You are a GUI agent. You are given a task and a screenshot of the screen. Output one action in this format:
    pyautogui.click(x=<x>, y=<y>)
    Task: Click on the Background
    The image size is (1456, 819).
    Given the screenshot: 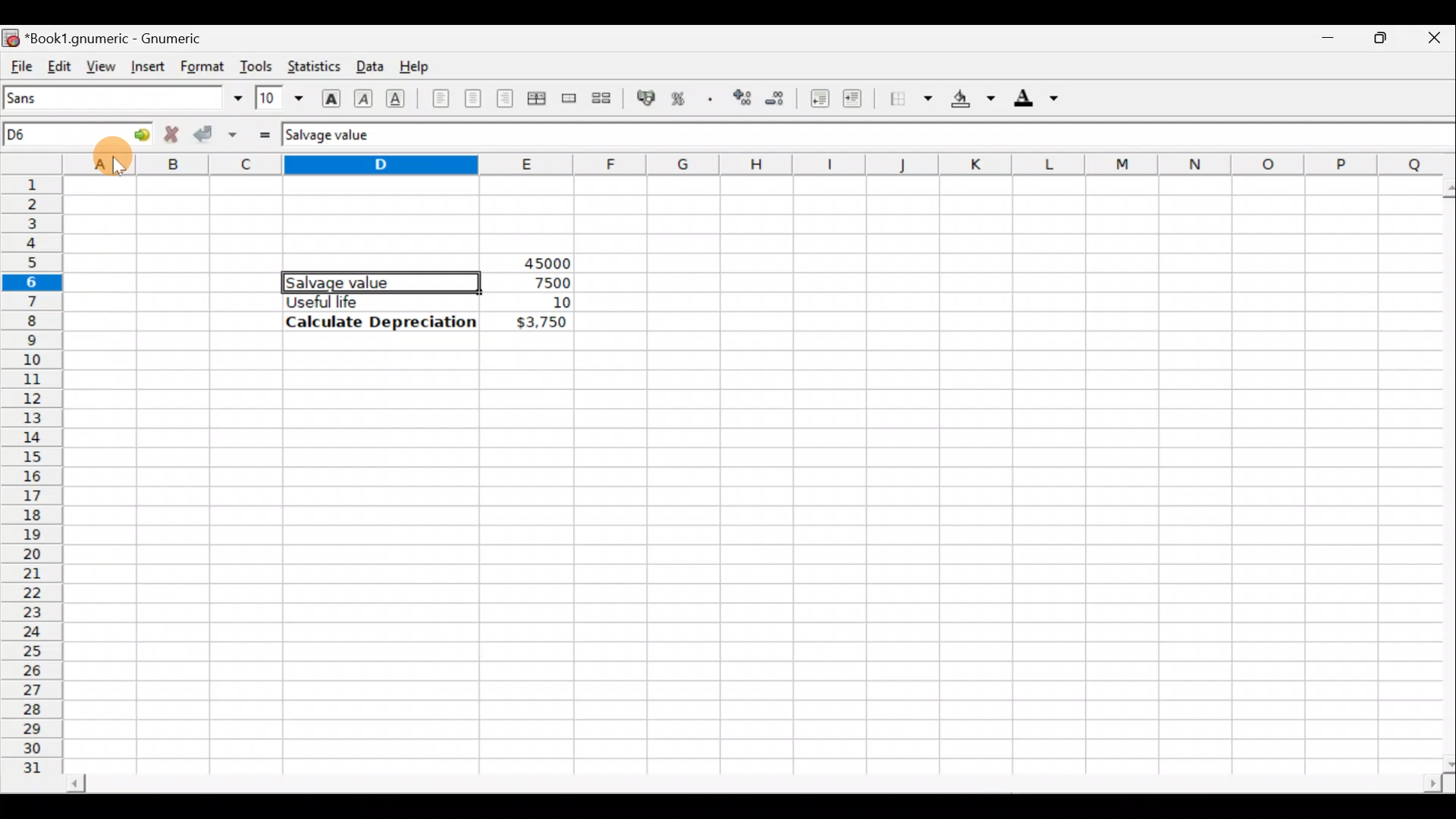 What is the action you would take?
    pyautogui.click(x=974, y=99)
    